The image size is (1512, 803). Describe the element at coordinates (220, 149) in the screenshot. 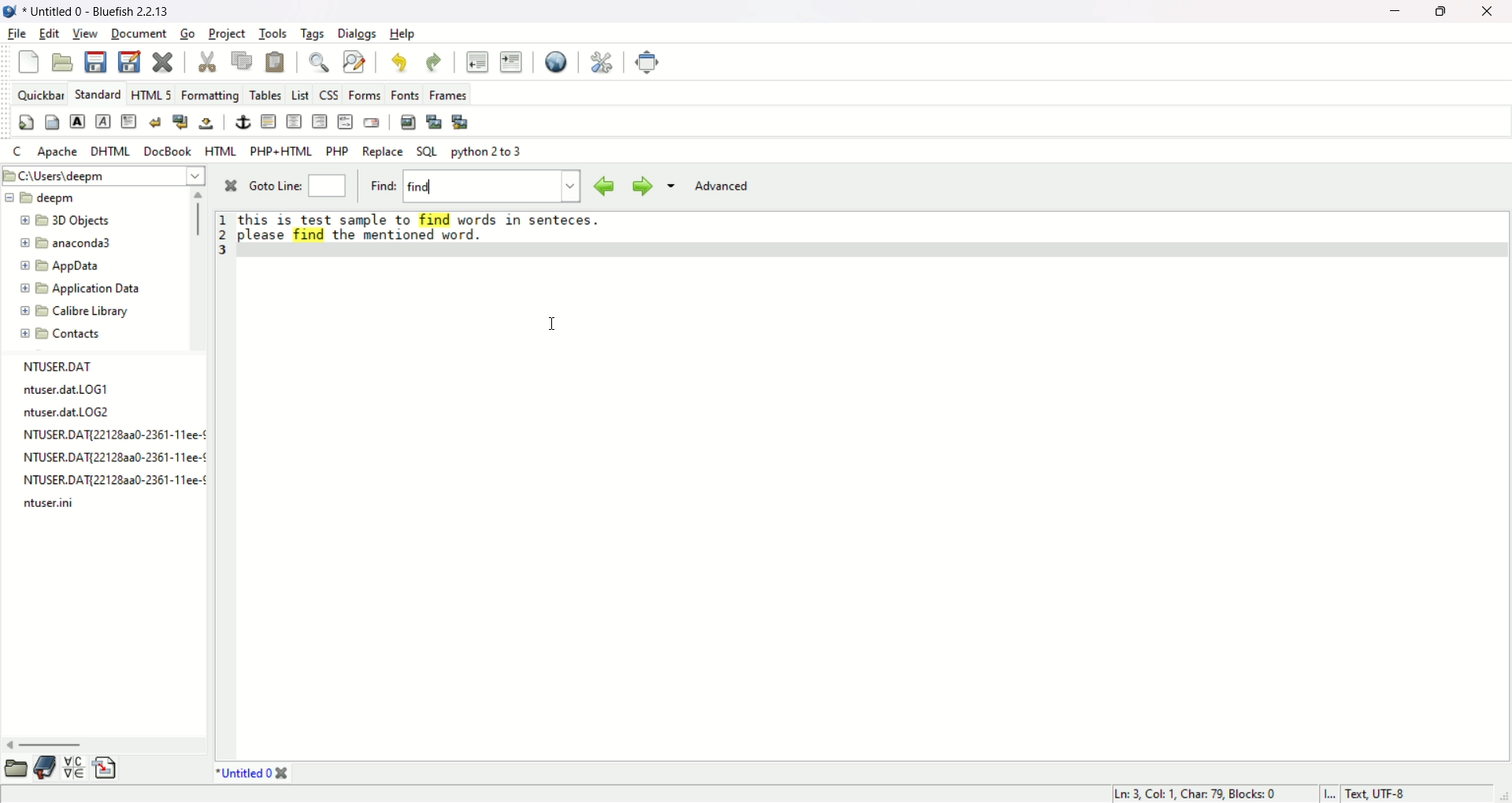

I see `HTML` at that location.